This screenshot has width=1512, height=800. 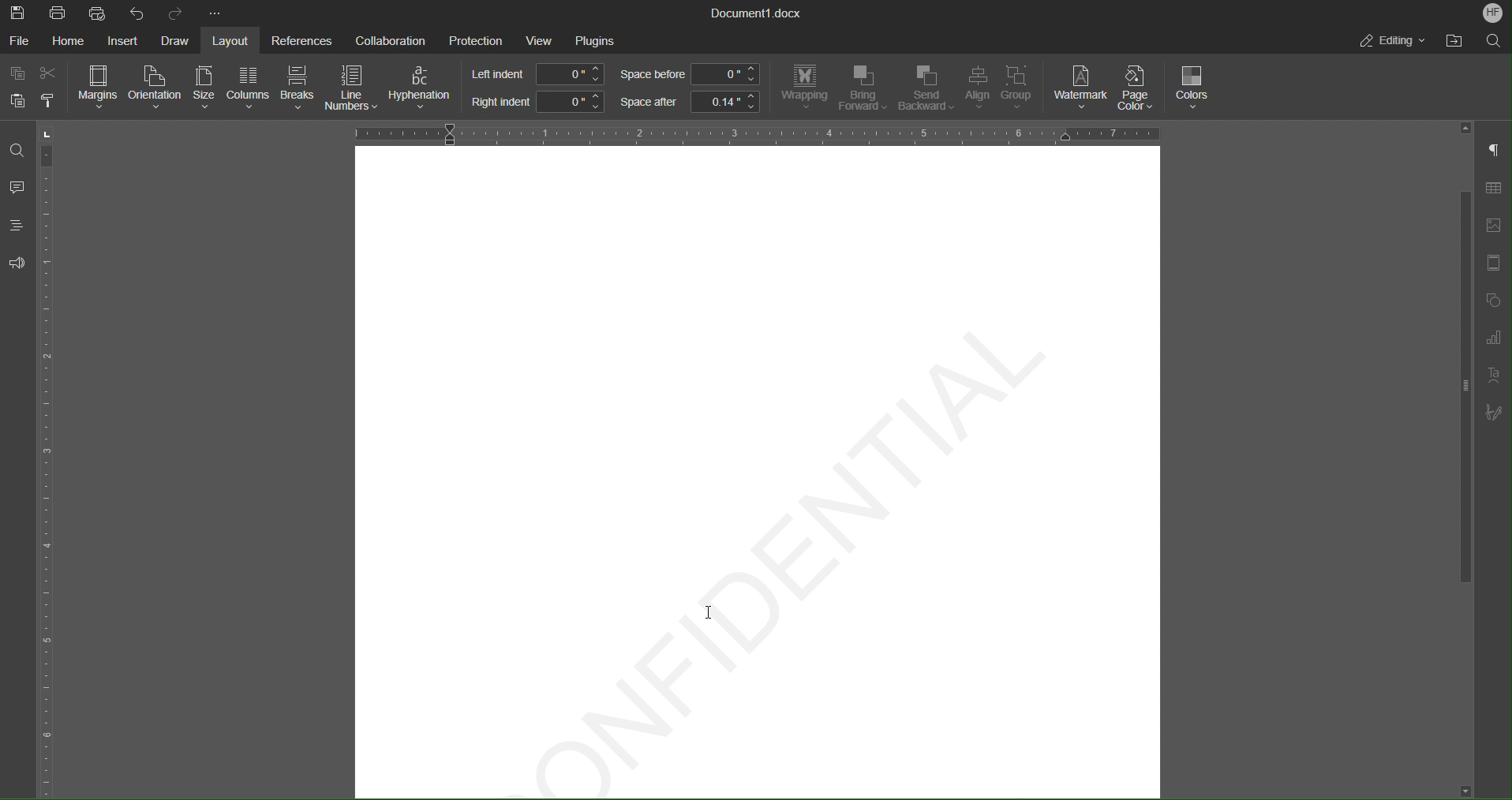 What do you see at coordinates (174, 13) in the screenshot?
I see `Redo` at bounding box center [174, 13].